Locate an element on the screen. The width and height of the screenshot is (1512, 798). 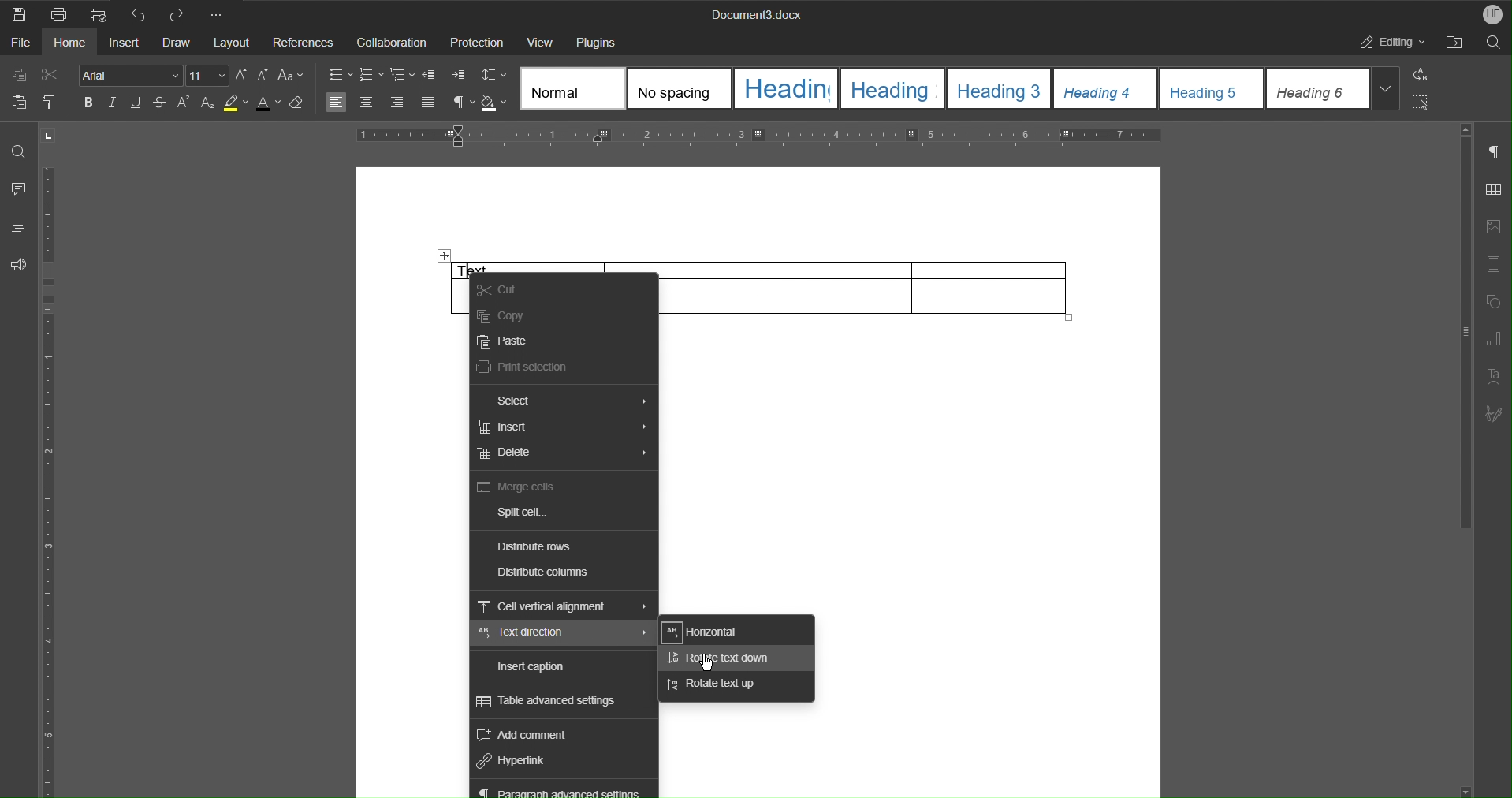
Strikethrough is located at coordinates (158, 103).